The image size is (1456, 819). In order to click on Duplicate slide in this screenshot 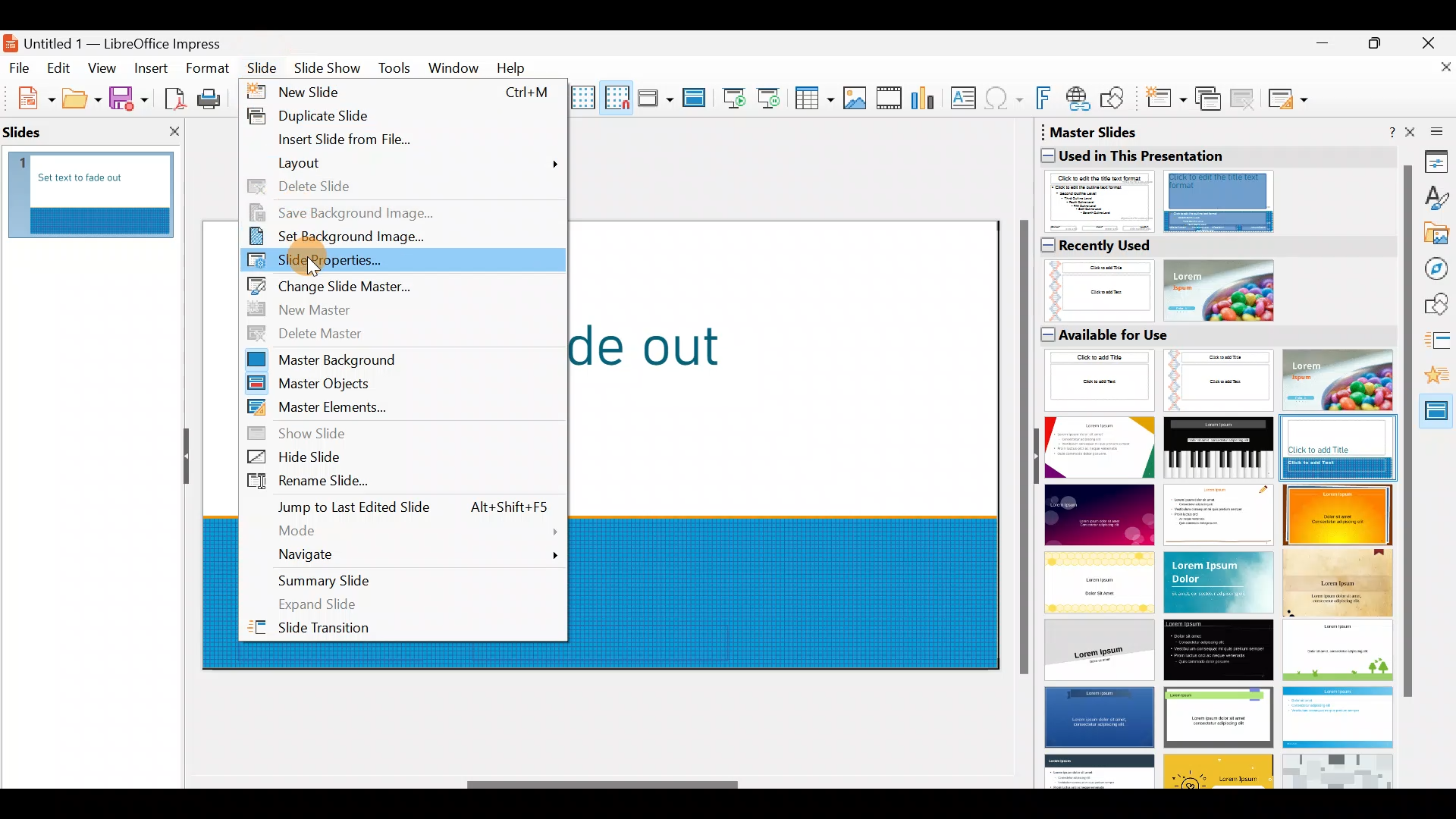, I will do `click(401, 114)`.